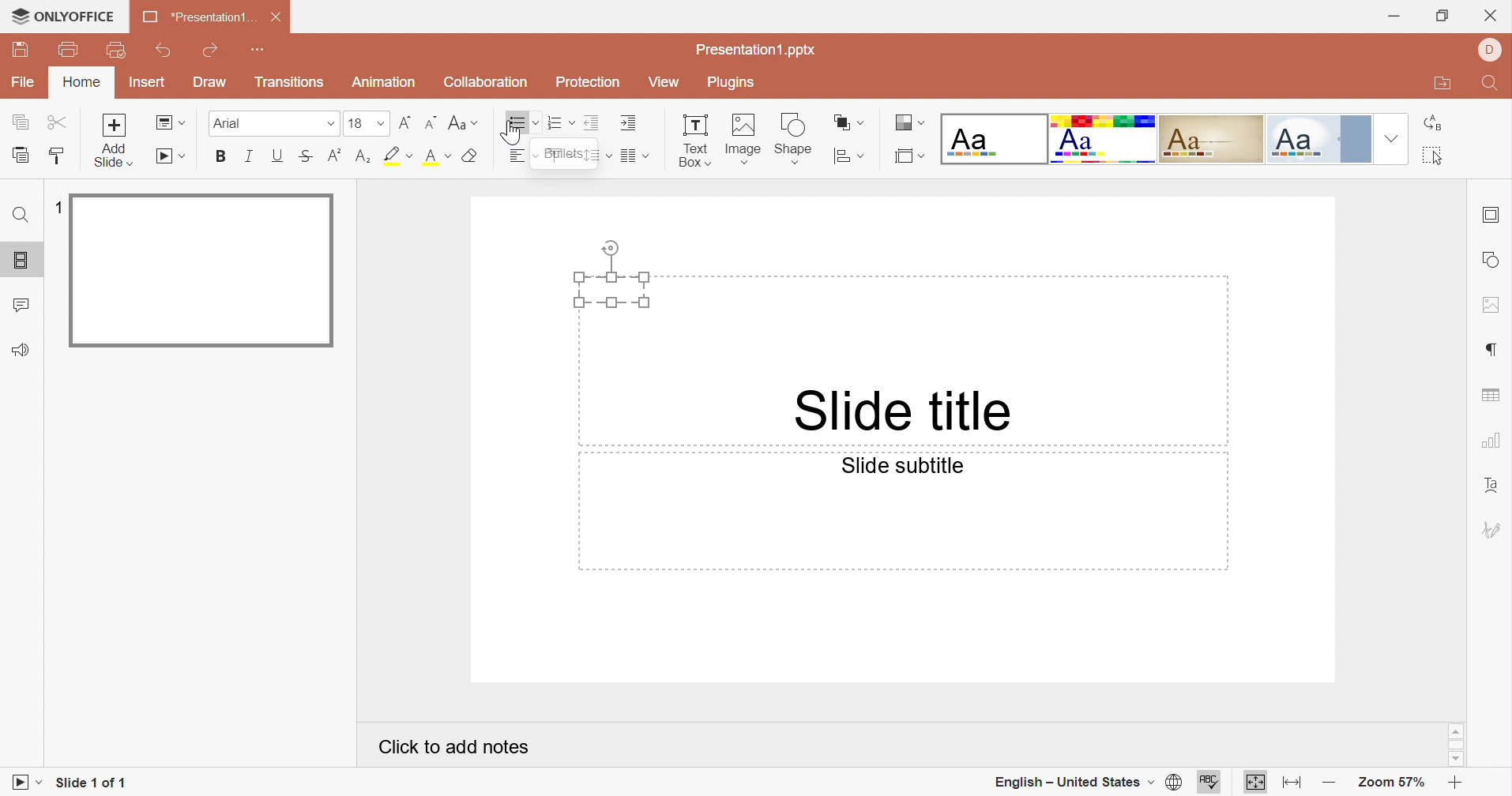  What do you see at coordinates (23, 785) in the screenshot?
I see `Start slideshow` at bounding box center [23, 785].